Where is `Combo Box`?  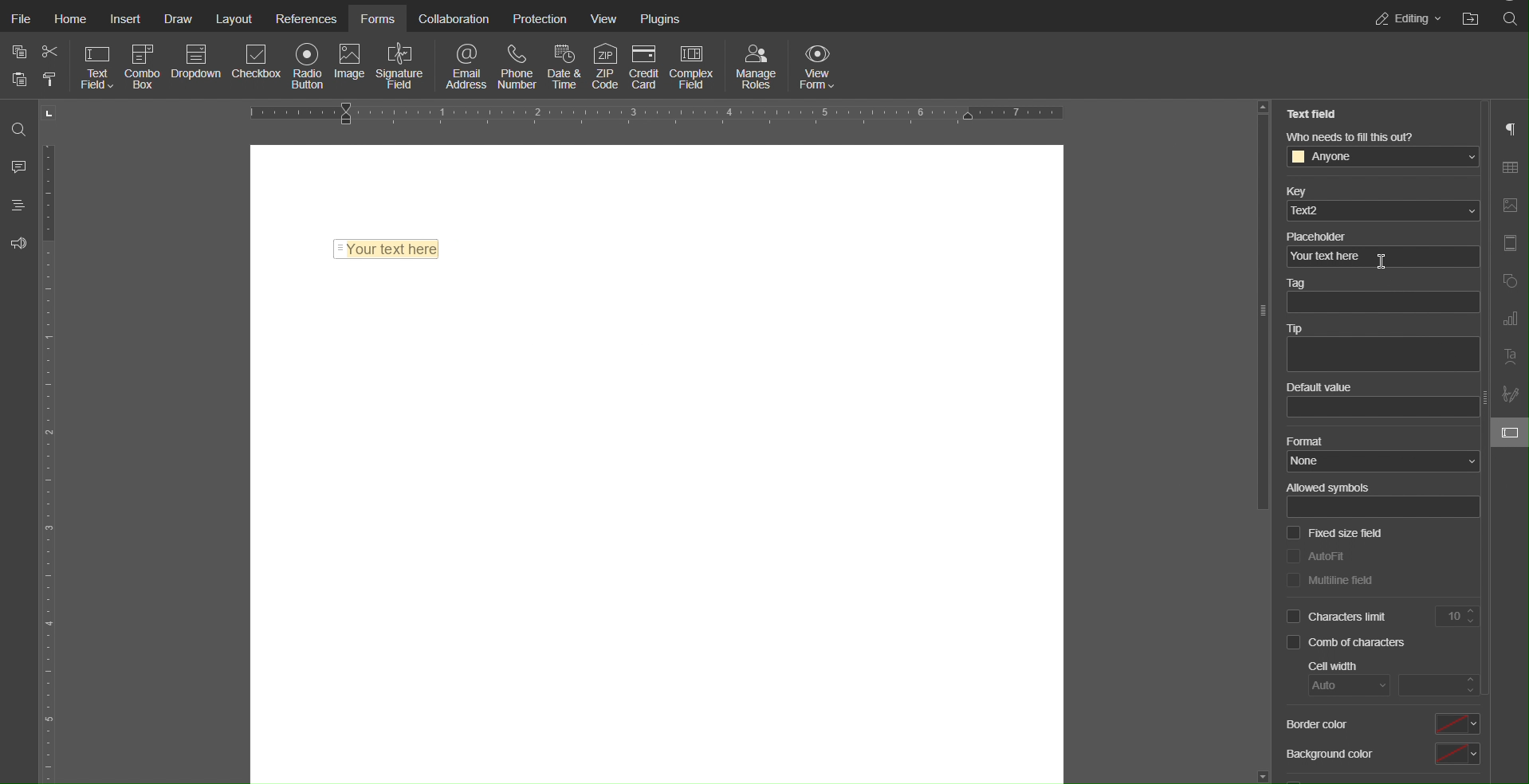
Combo Box is located at coordinates (145, 66).